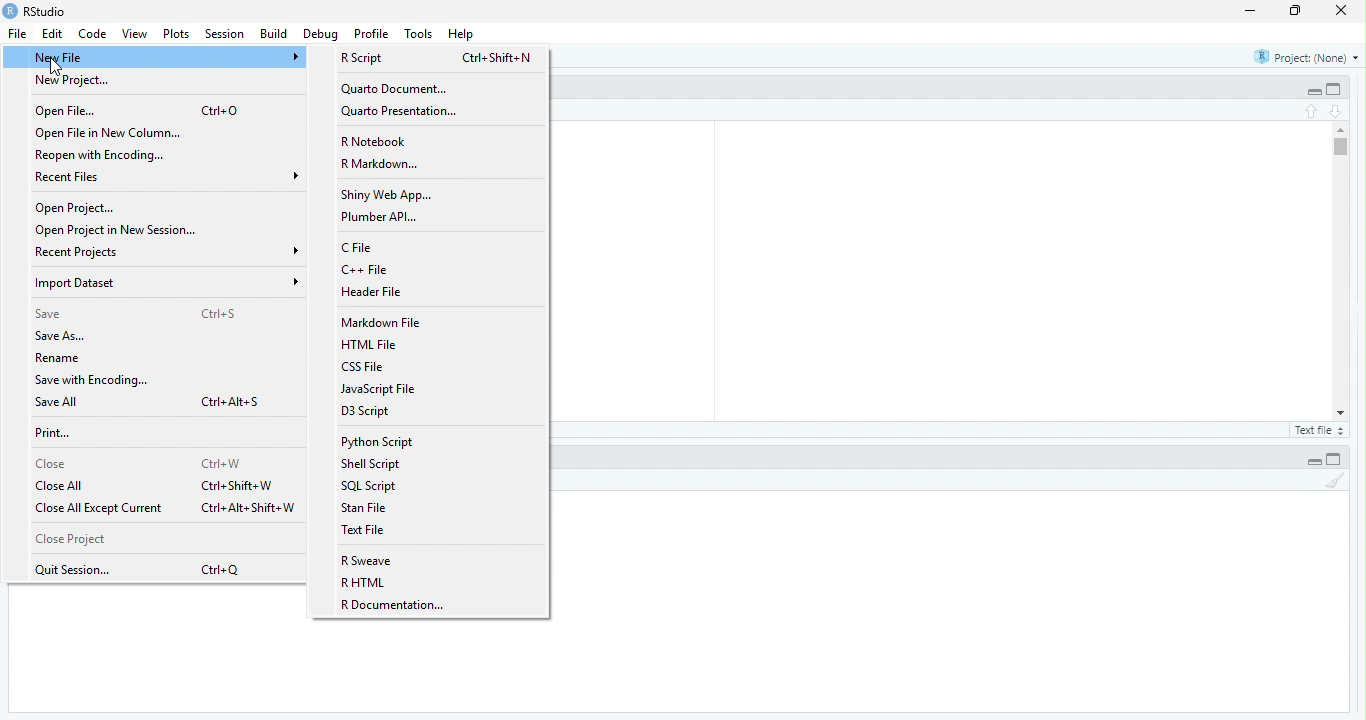 Image resolution: width=1366 pixels, height=720 pixels. Describe the element at coordinates (1314, 462) in the screenshot. I see `Collapse` at that location.